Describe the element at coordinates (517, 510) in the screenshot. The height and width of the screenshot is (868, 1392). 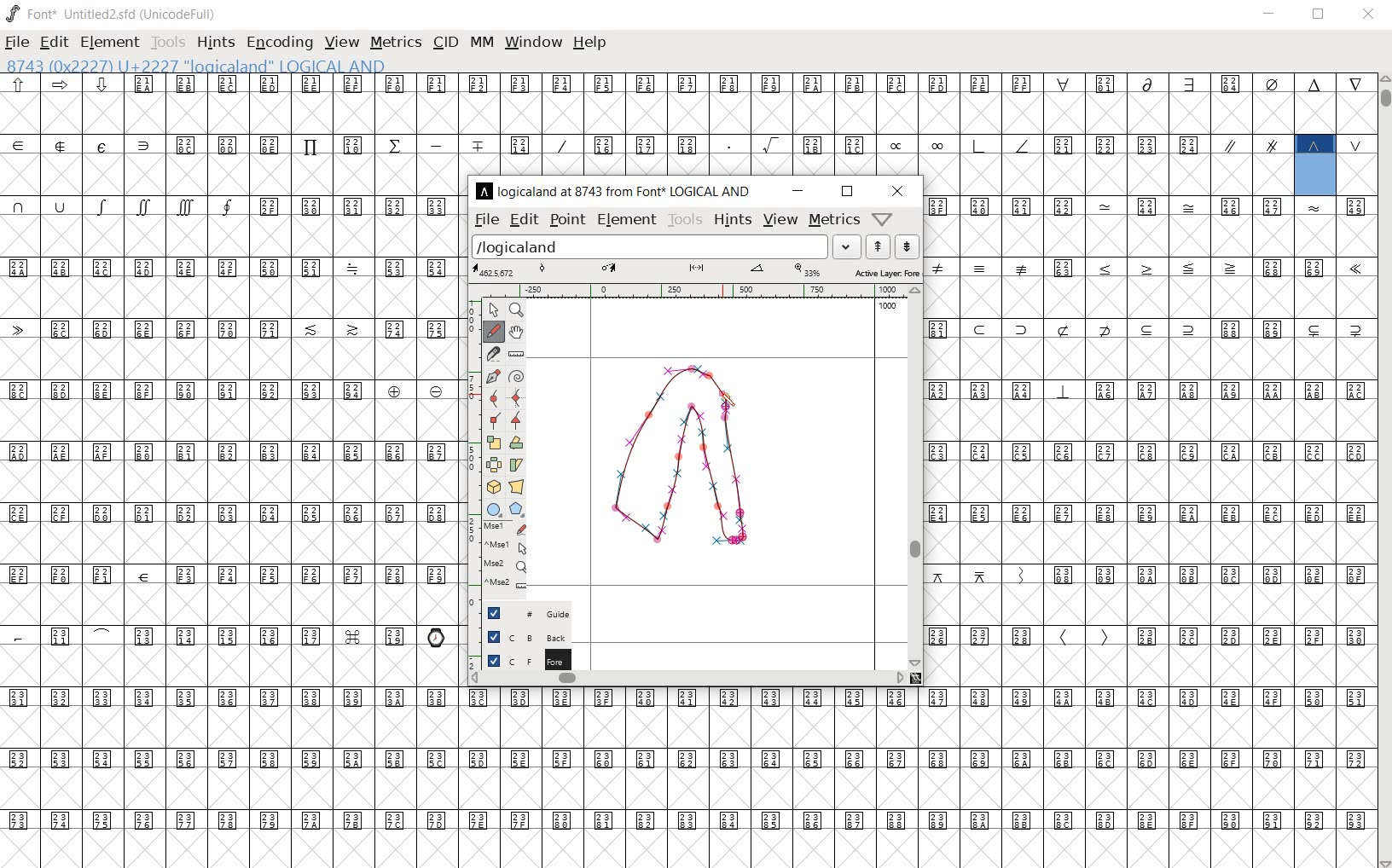
I see `polygon or star` at that location.